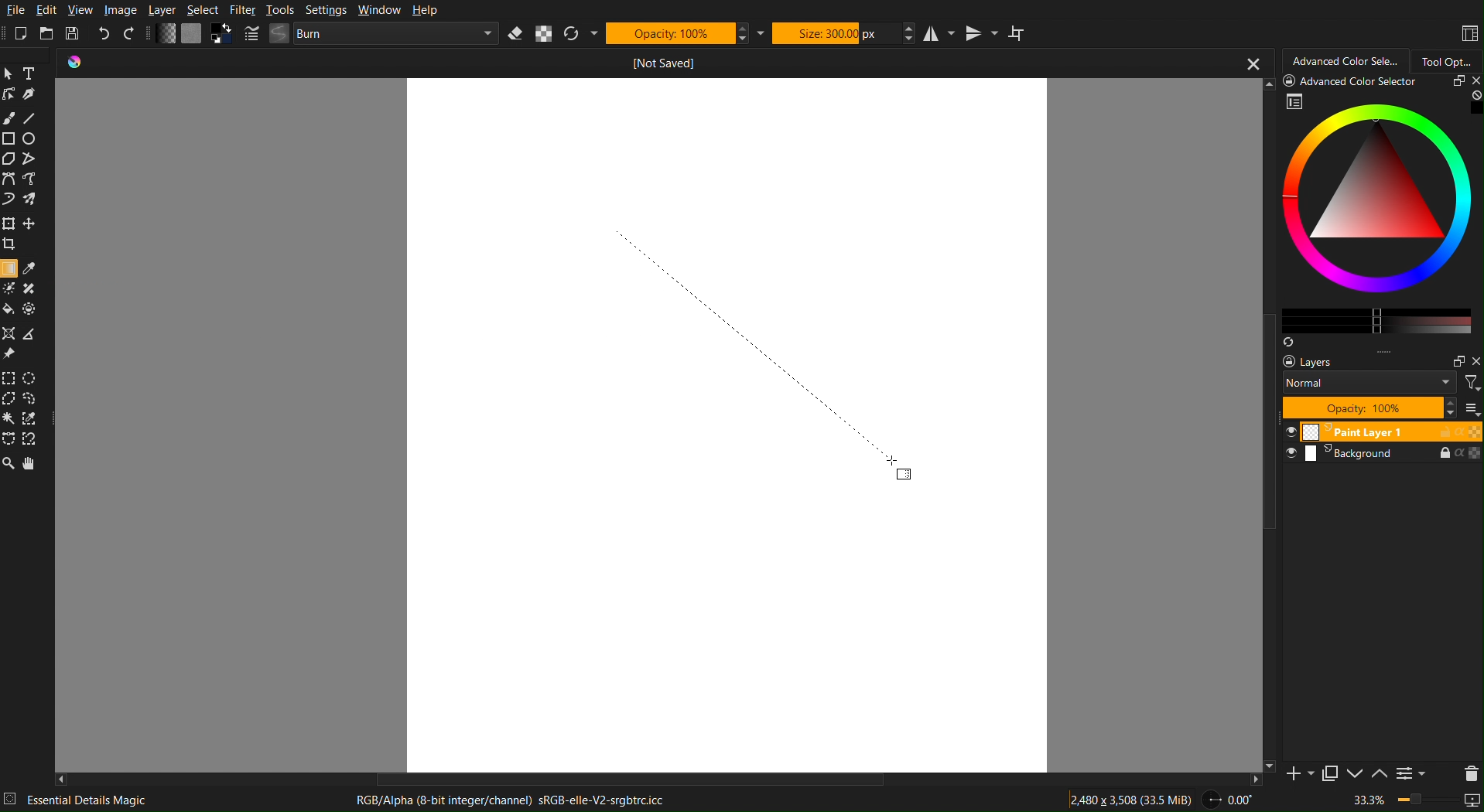  What do you see at coordinates (1410, 775) in the screenshot?
I see `Settings` at bounding box center [1410, 775].